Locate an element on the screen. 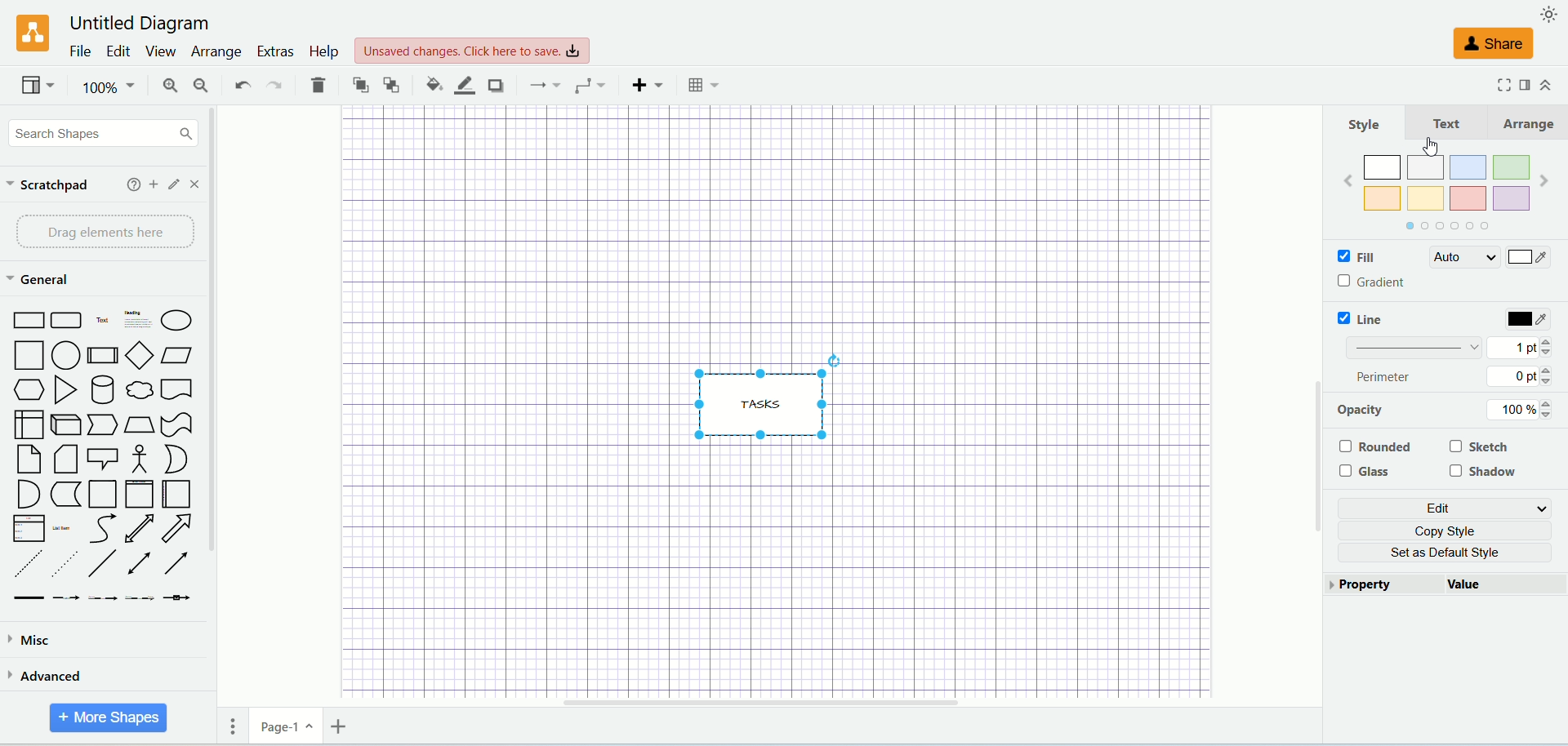 The width and height of the screenshot is (1568, 746). Horizantal Container is located at coordinates (177, 495).